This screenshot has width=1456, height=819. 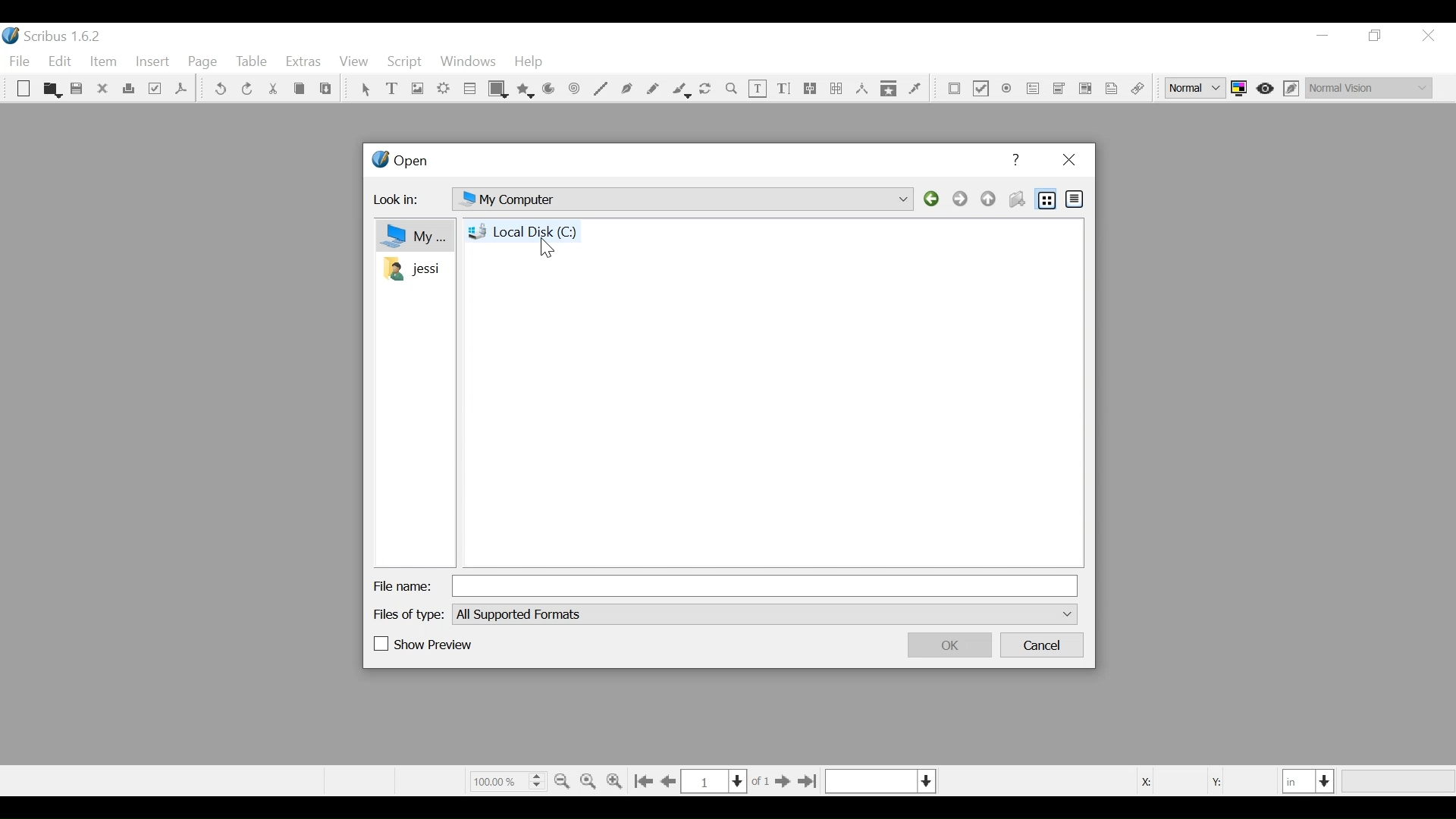 What do you see at coordinates (783, 89) in the screenshot?
I see `Edit Content Text Story Editor` at bounding box center [783, 89].